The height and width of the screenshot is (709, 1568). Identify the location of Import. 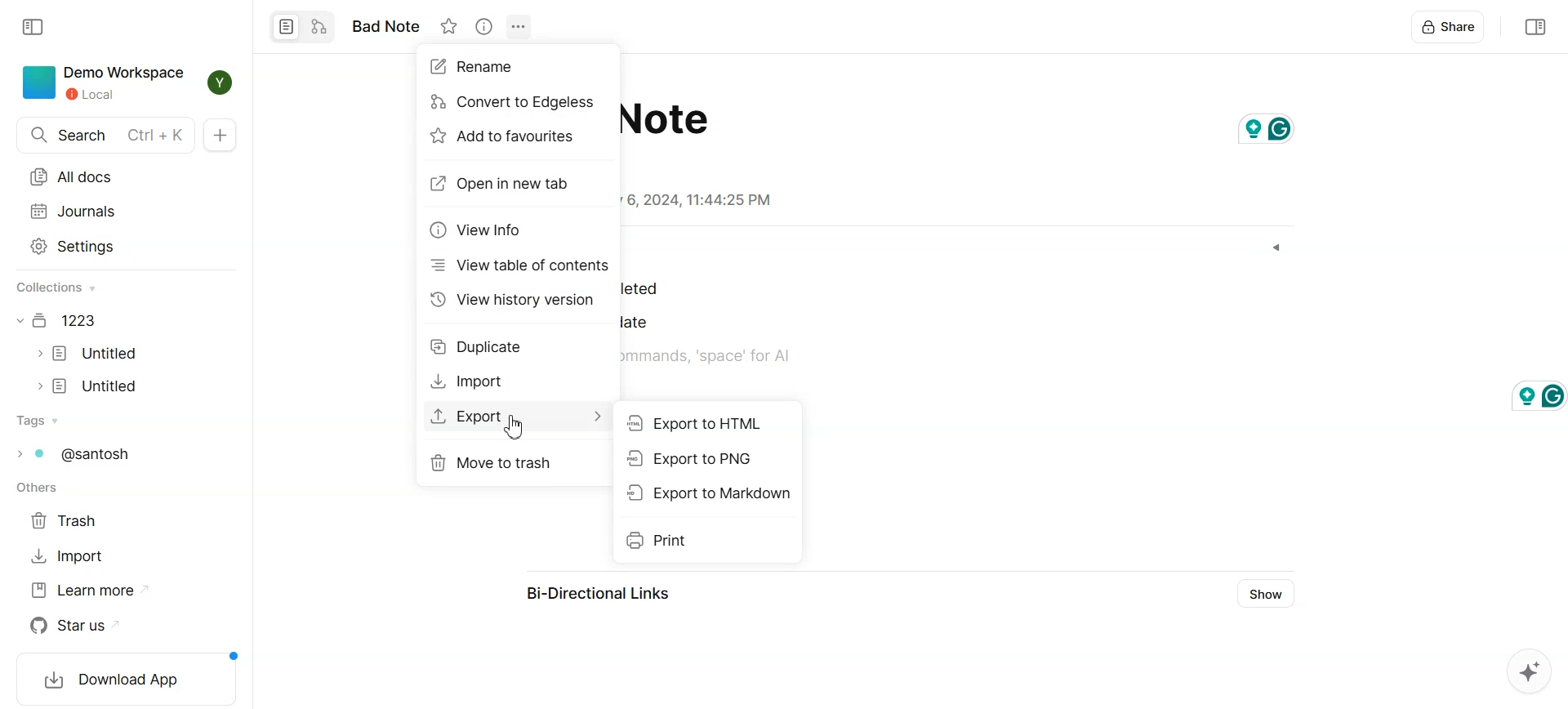
(482, 381).